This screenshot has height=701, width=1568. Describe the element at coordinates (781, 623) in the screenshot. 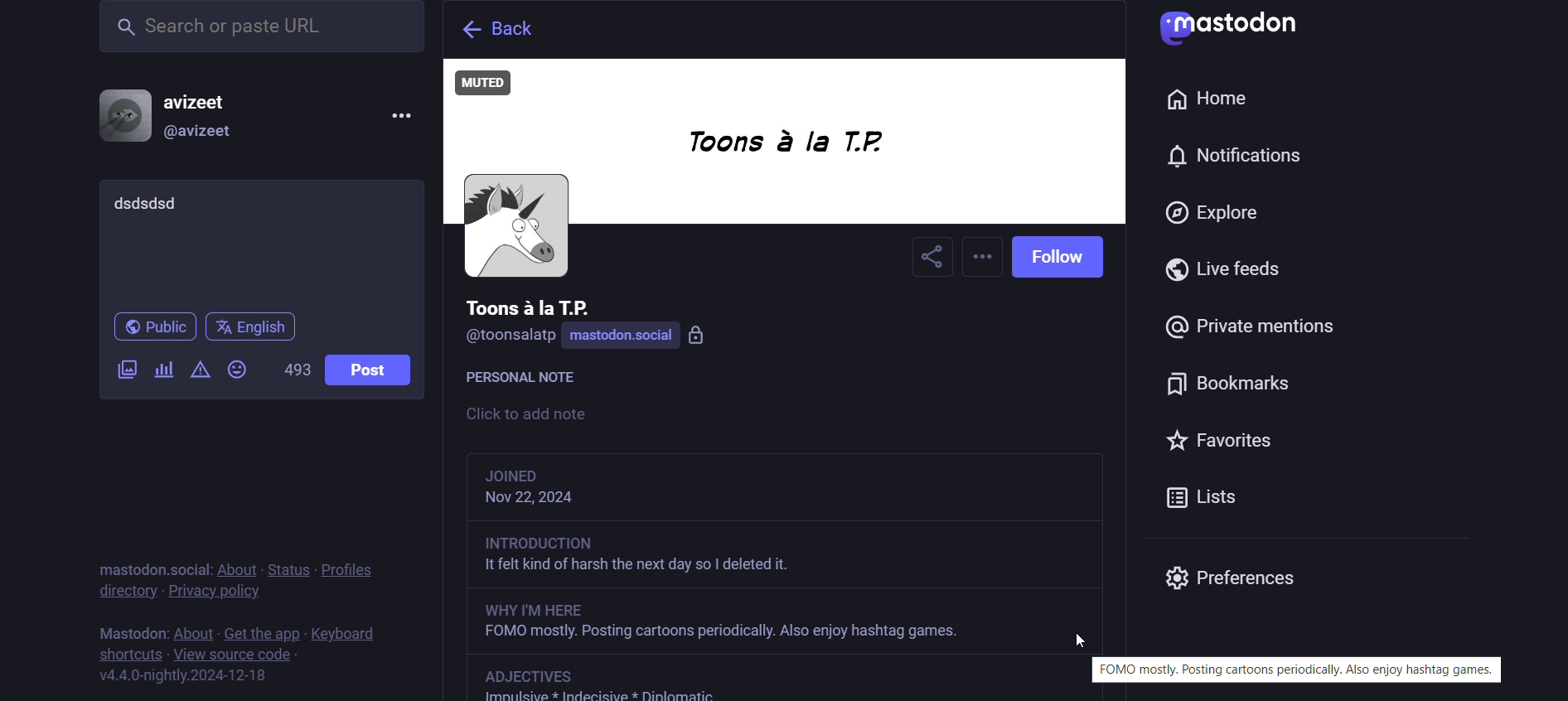

I see `` at that location.